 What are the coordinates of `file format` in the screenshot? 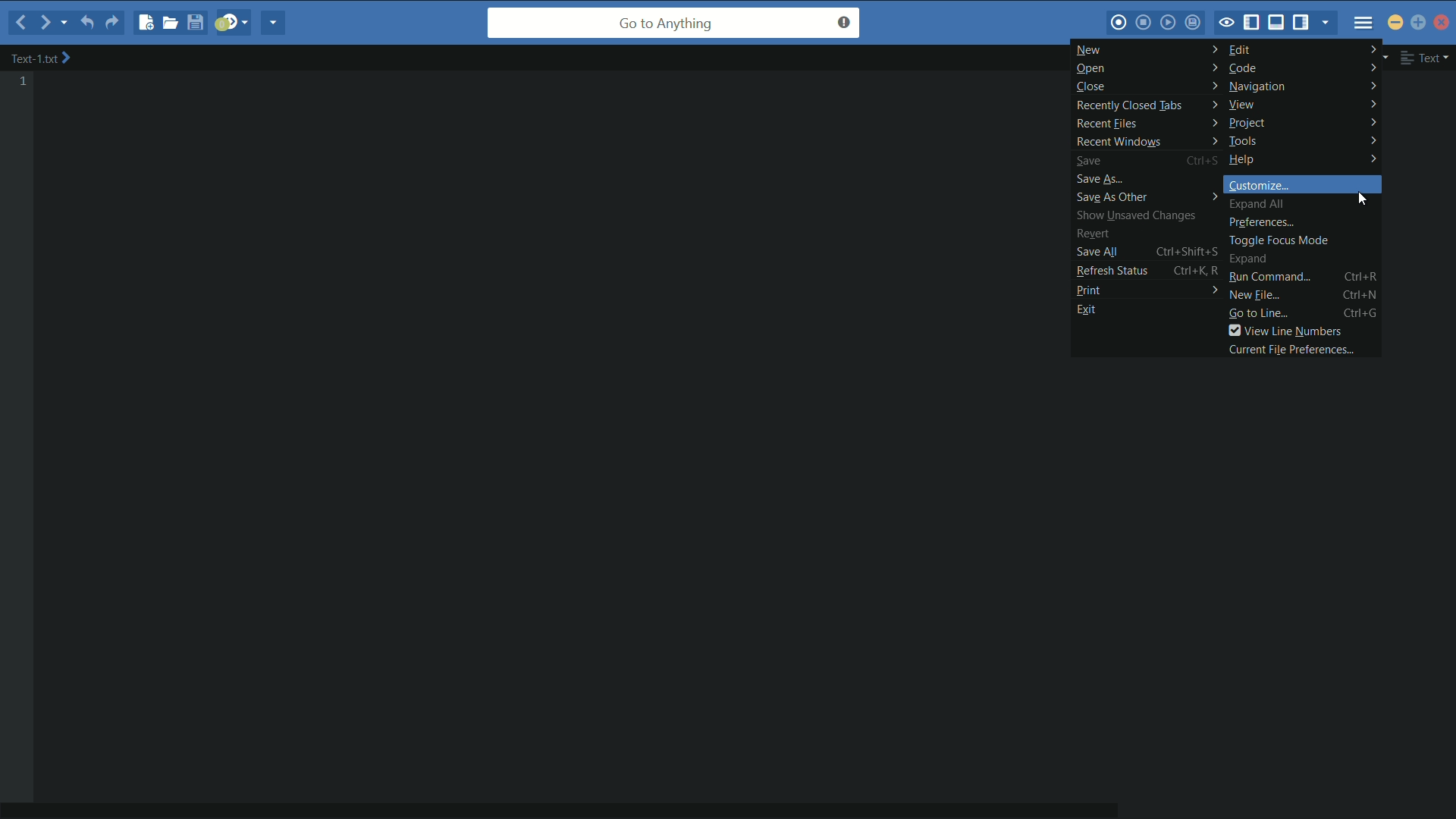 It's located at (1429, 57).